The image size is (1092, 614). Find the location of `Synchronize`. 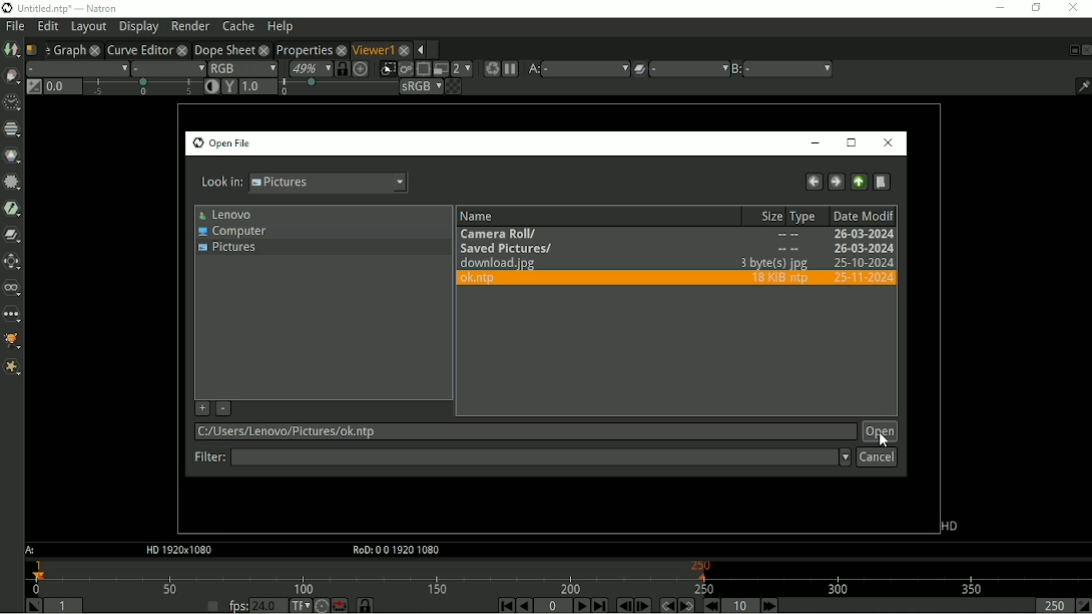

Synchronize is located at coordinates (366, 605).